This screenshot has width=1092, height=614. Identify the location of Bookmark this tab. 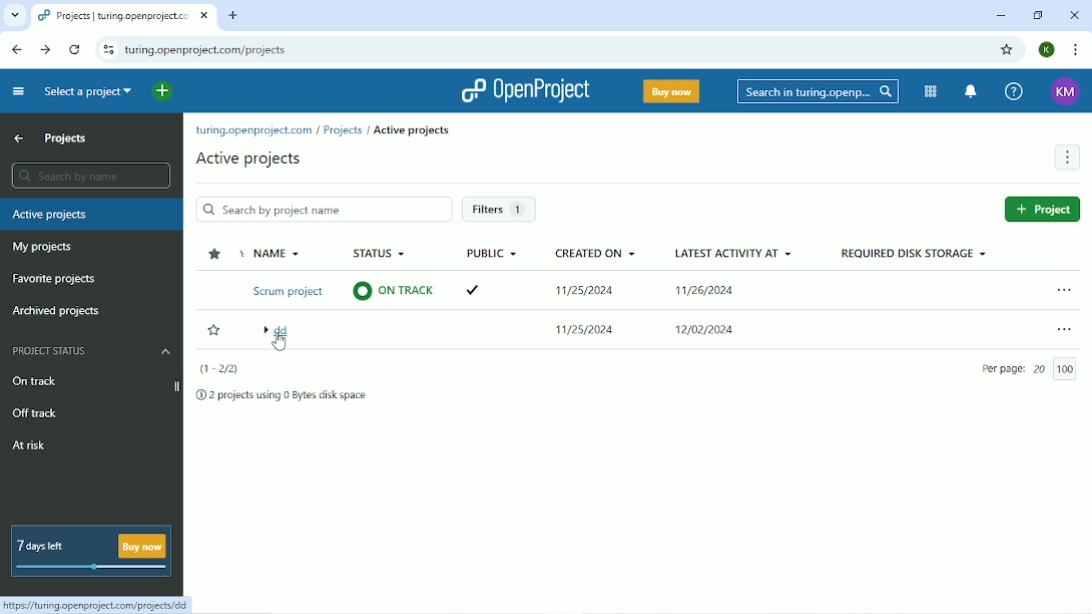
(1007, 50).